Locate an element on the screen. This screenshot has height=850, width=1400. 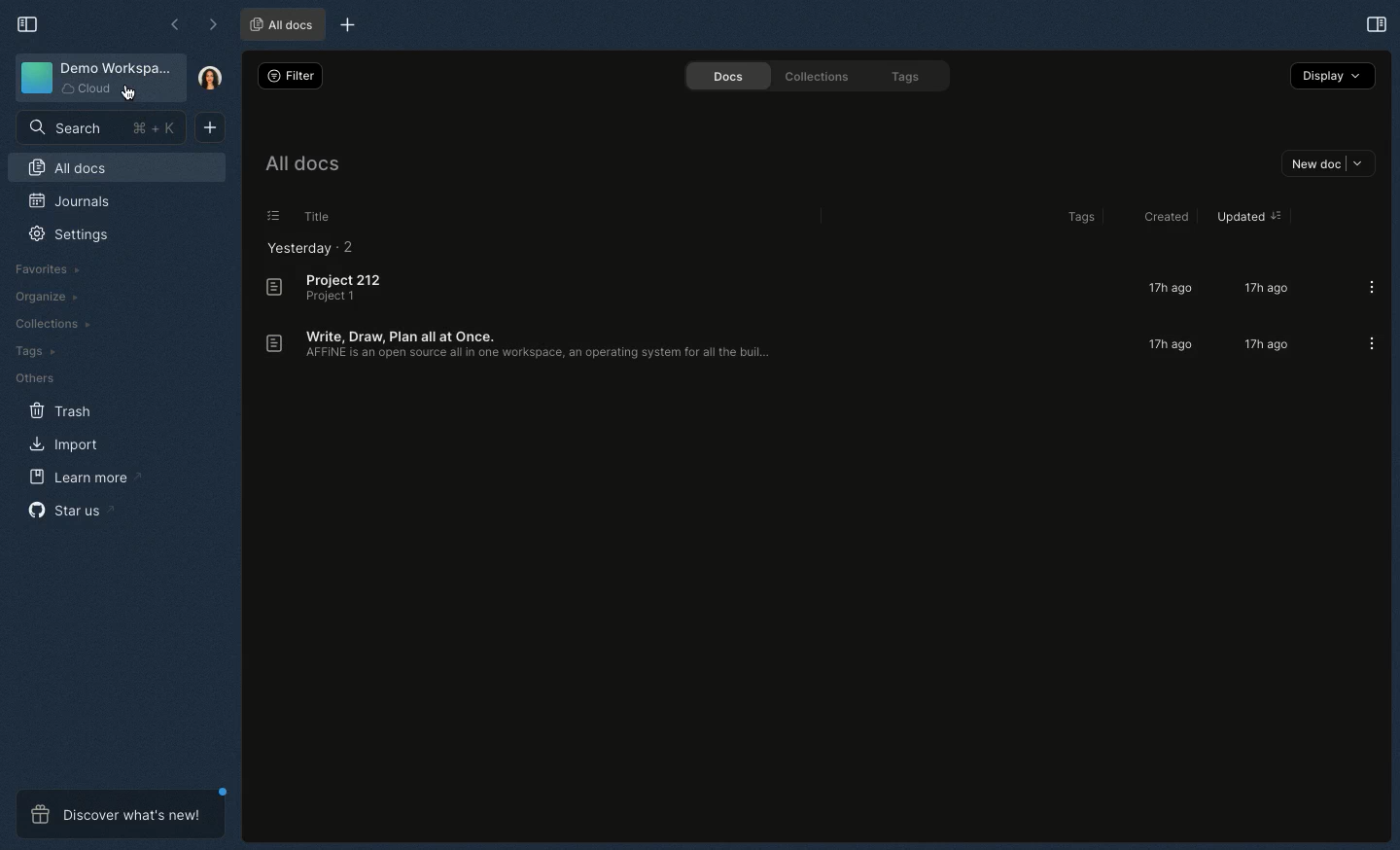
Updated is located at coordinates (1246, 217).